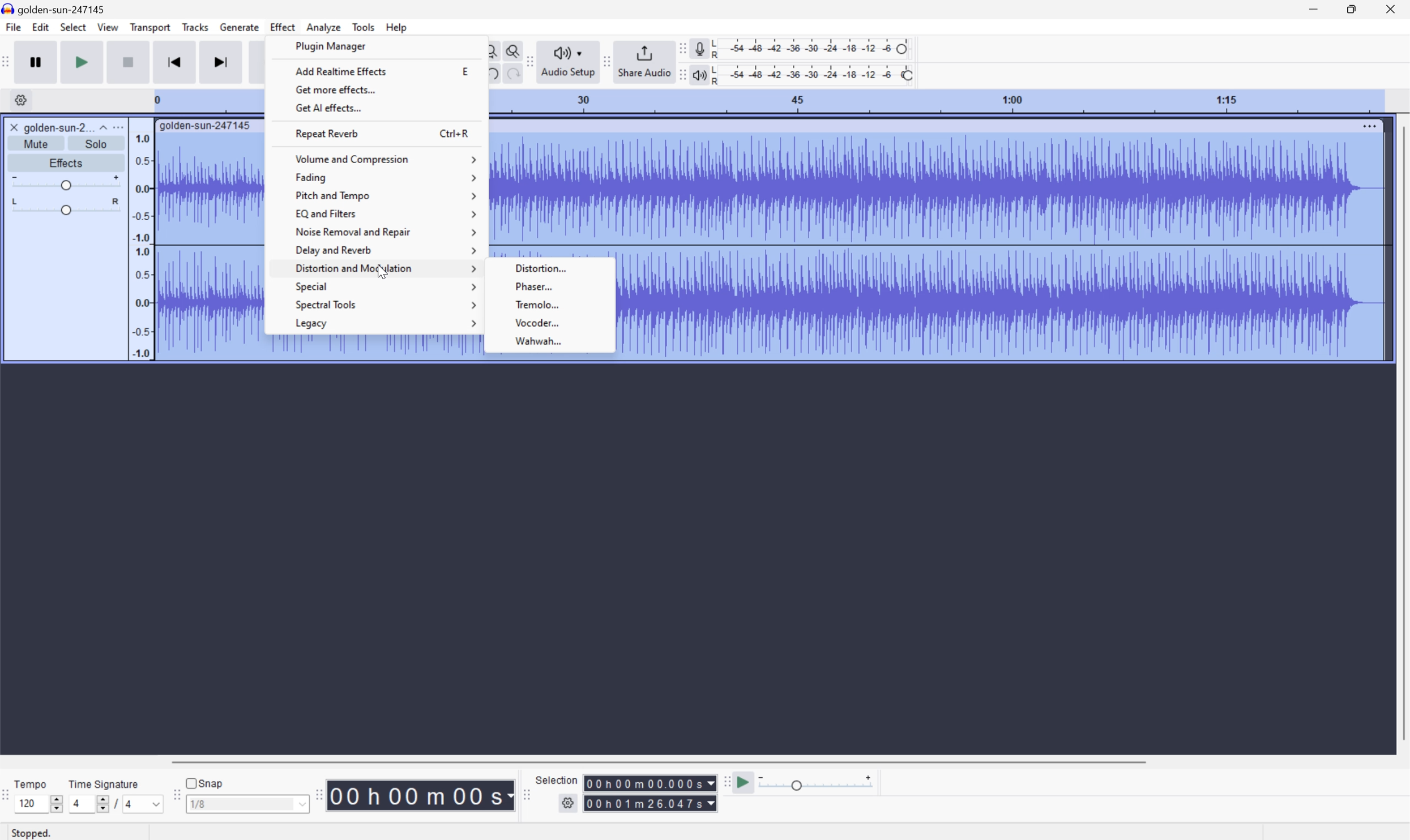 The image size is (1410, 840). Describe the element at coordinates (650, 803) in the screenshot. I see `Selection` at that location.